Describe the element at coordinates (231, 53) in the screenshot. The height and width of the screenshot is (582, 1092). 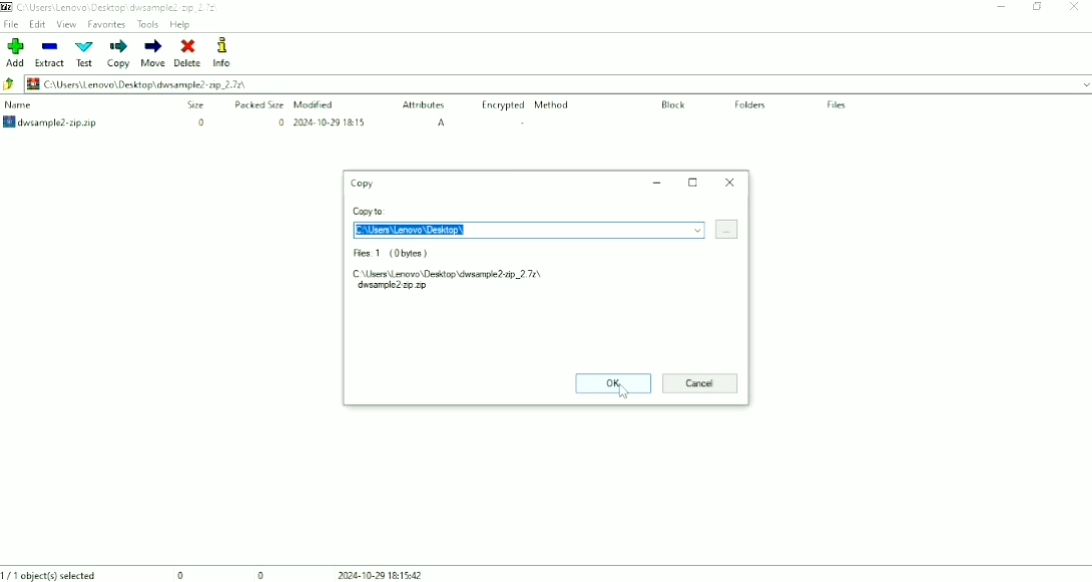
I see `Info` at that location.